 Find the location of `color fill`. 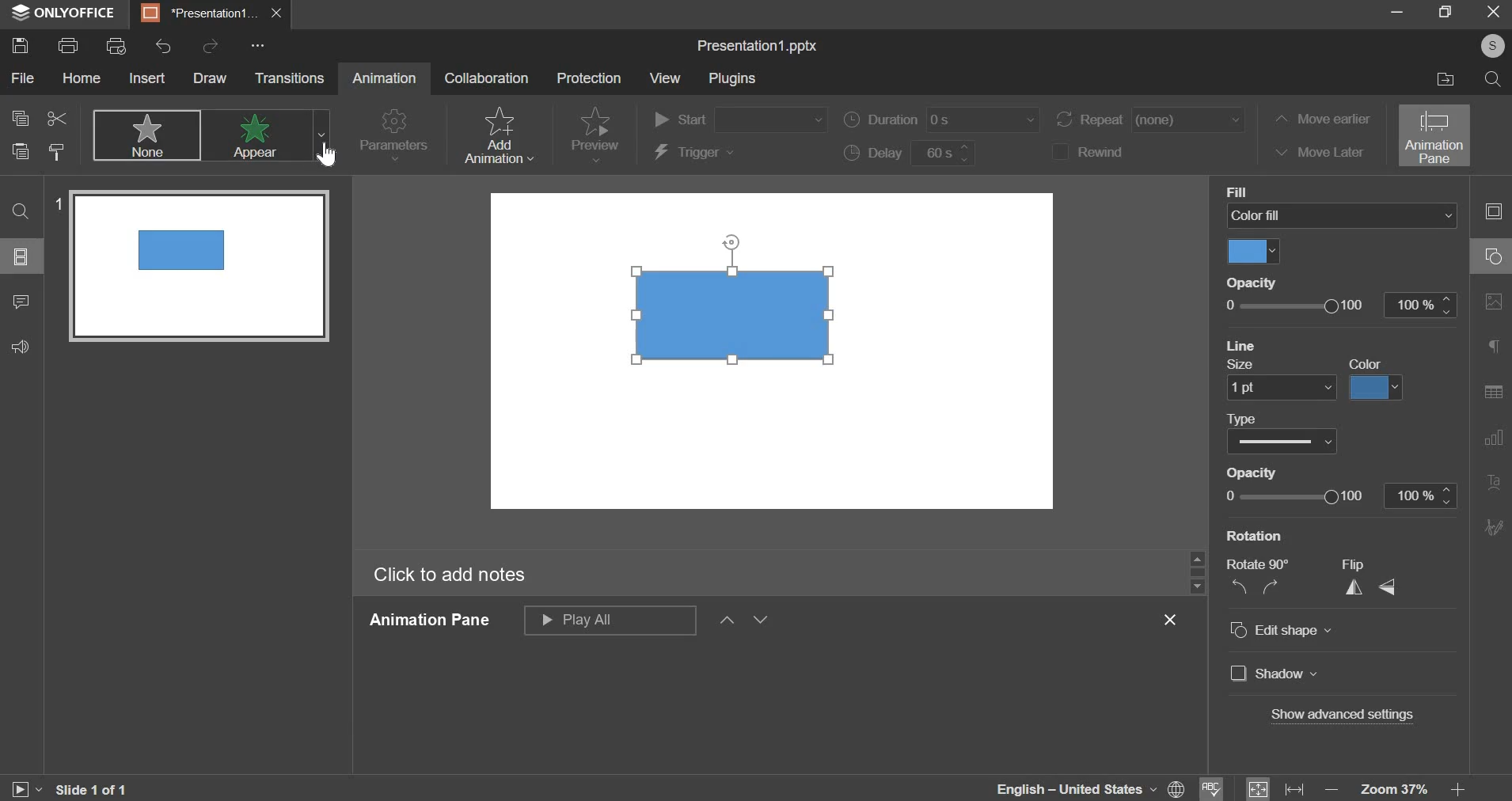

color fill is located at coordinates (1341, 216).